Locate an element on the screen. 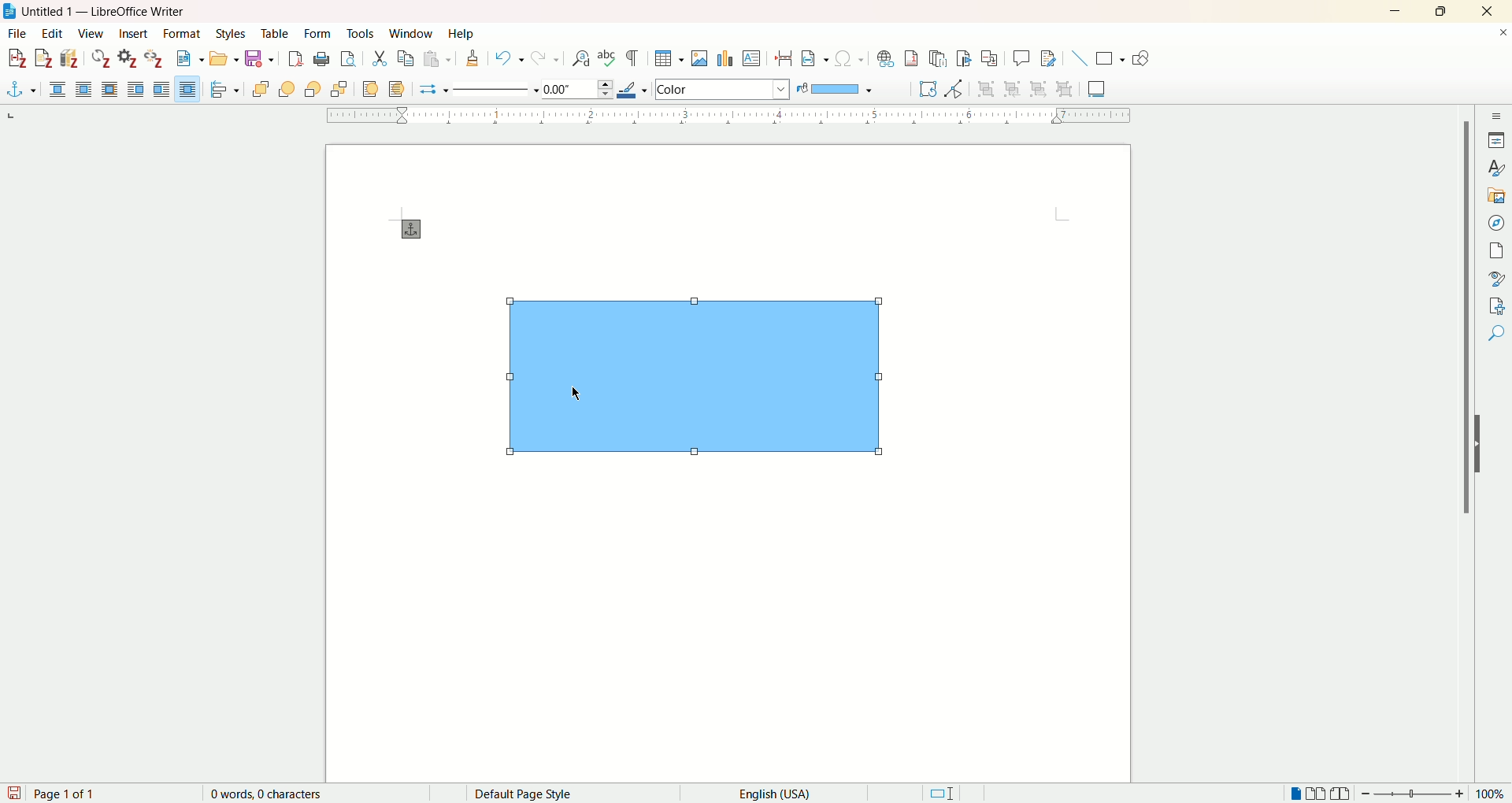 The height and width of the screenshot is (803, 1512). refresh is located at coordinates (102, 57).